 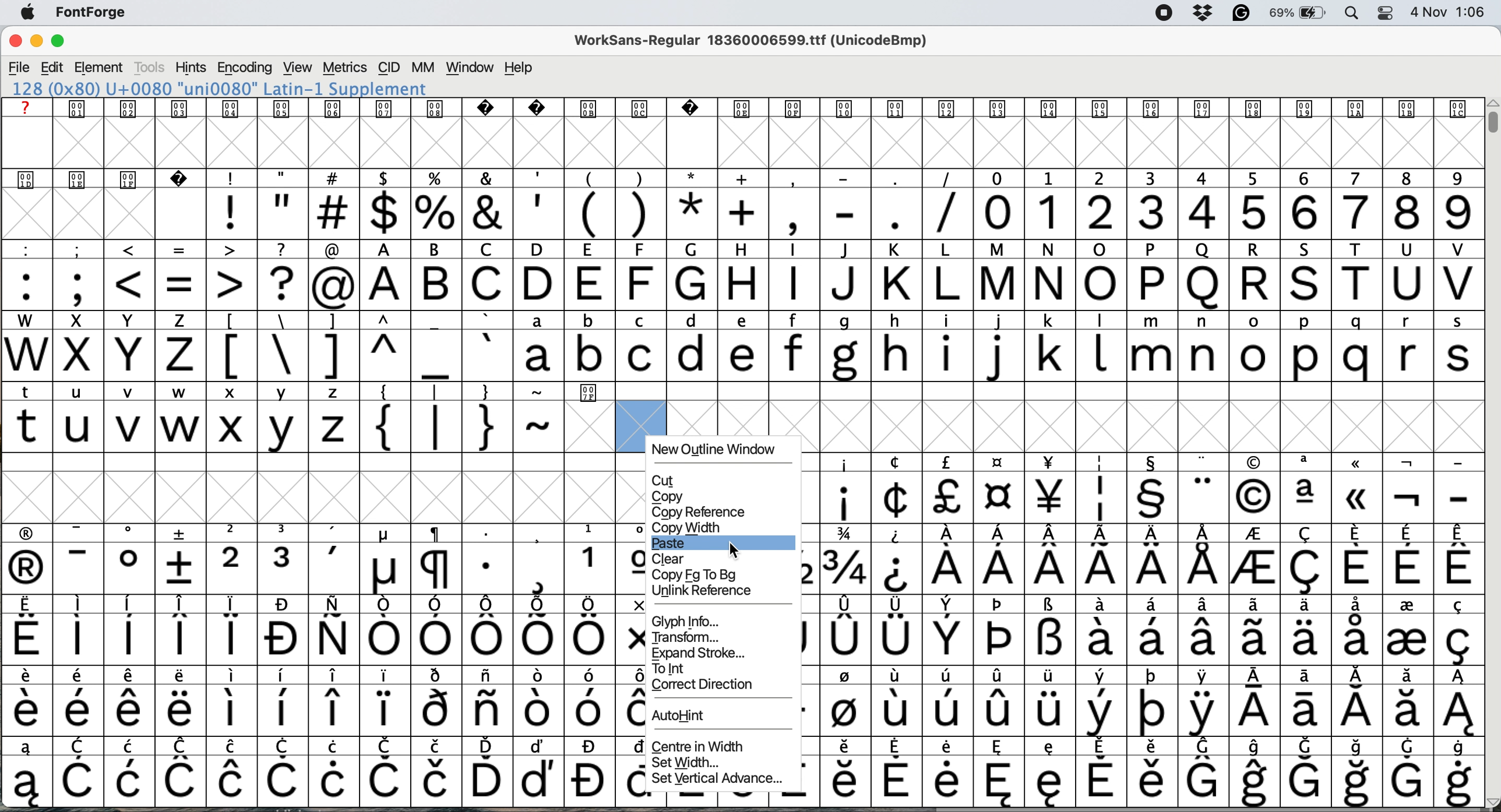 What do you see at coordinates (15, 43) in the screenshot?
I see `close` at bounding box center [15, 43].